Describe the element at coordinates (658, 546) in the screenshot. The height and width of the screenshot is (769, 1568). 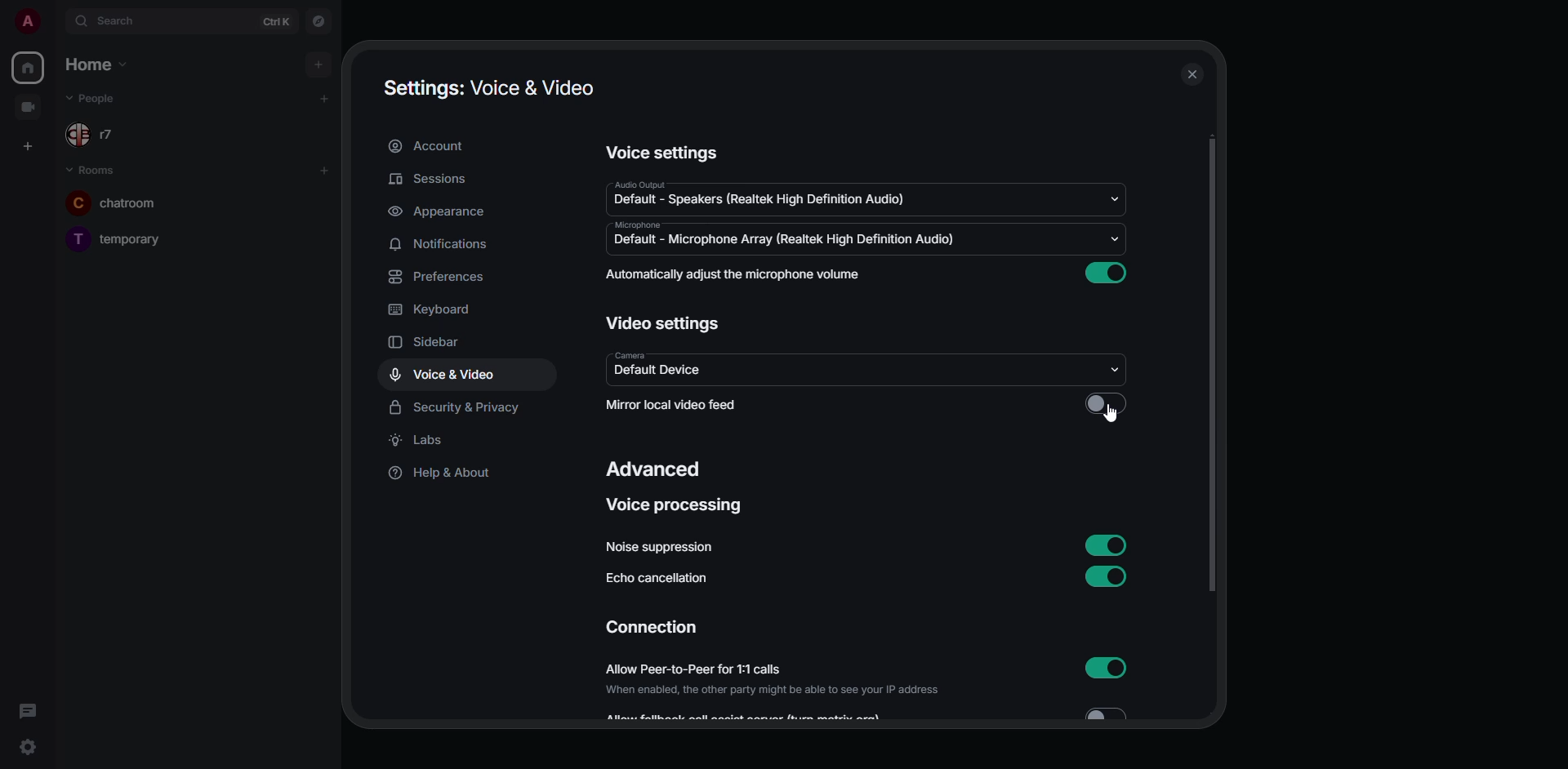
I see `noise suppression` at that location.